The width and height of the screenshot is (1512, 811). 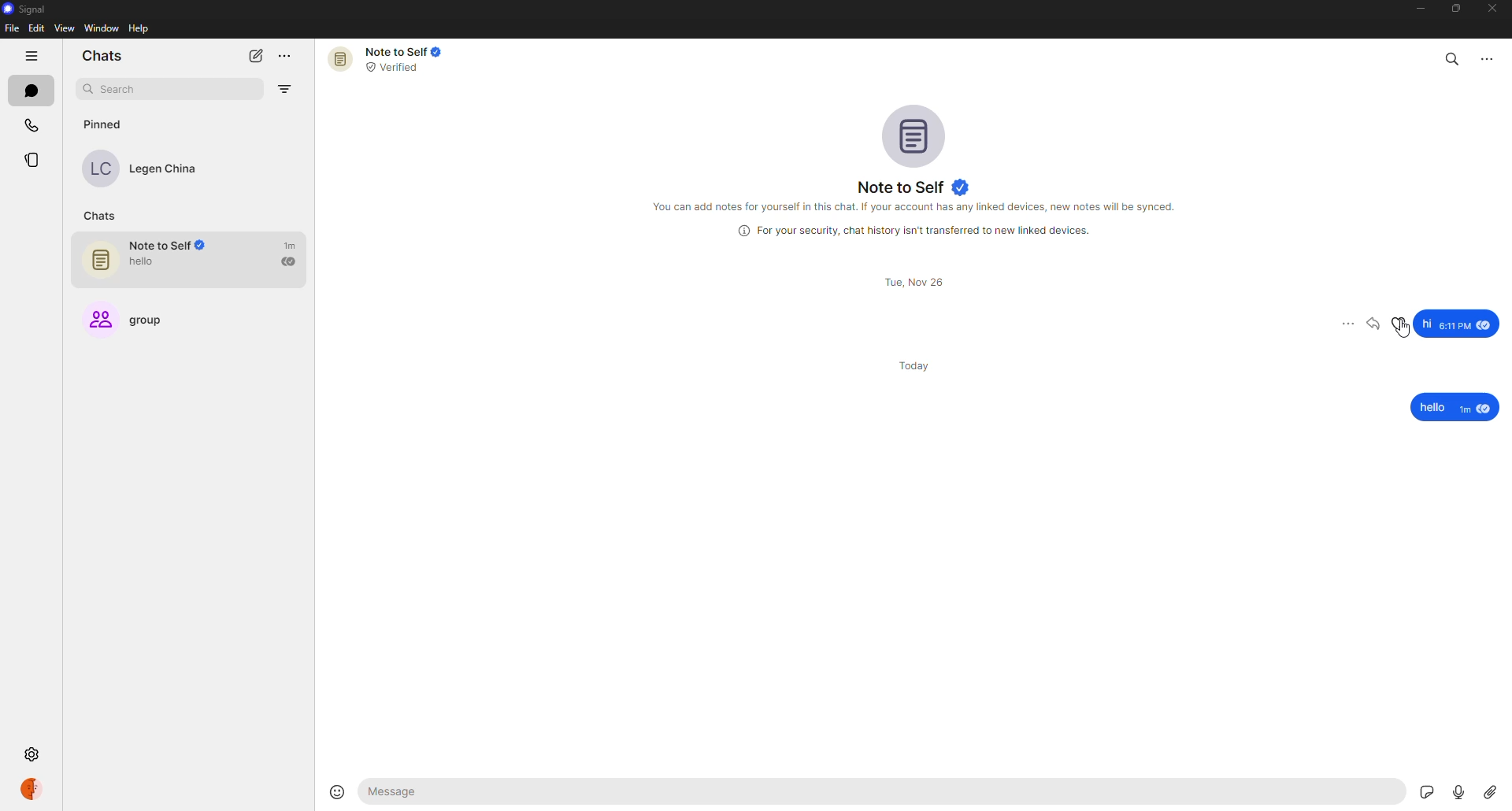 What do you see at coordinates (338, 791) in the screenshot?
I see `emoji` at bounding box center [338, 791].